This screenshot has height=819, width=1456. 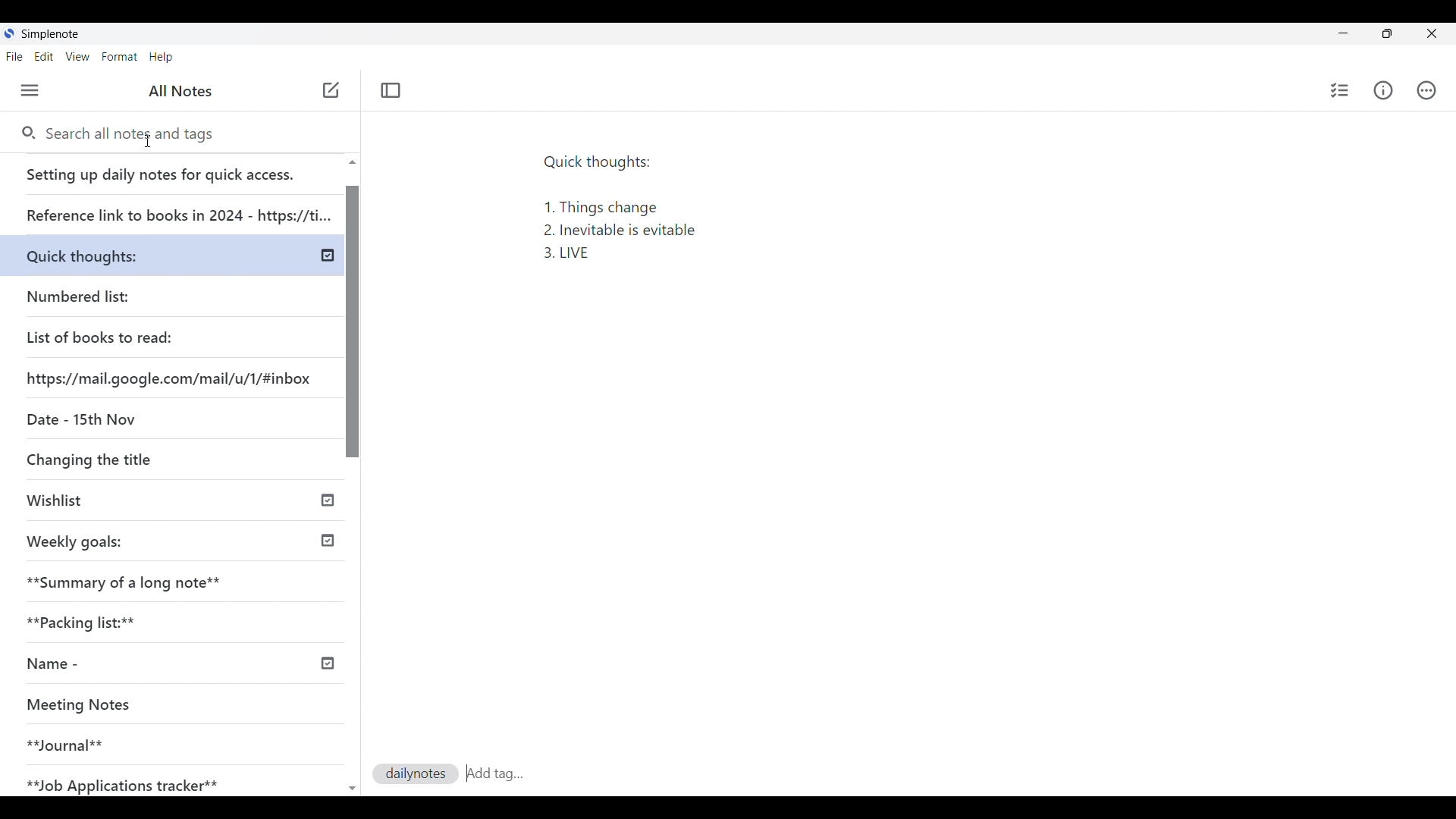 I want to click on File menu, so click(x=14, y=57).